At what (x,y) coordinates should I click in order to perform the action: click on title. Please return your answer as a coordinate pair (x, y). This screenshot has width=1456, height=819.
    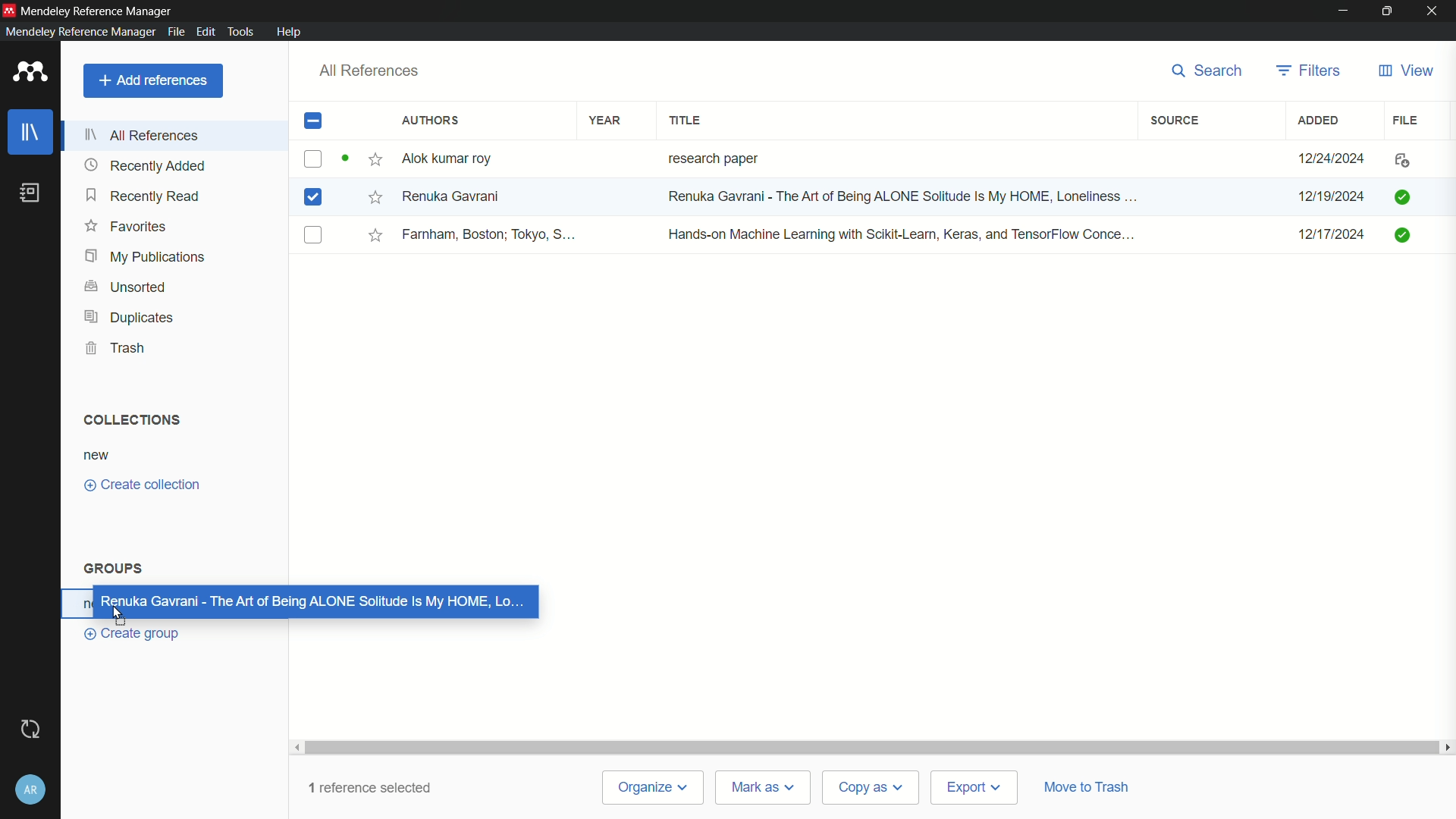
    Looking at the image, I should click on (687, 121).